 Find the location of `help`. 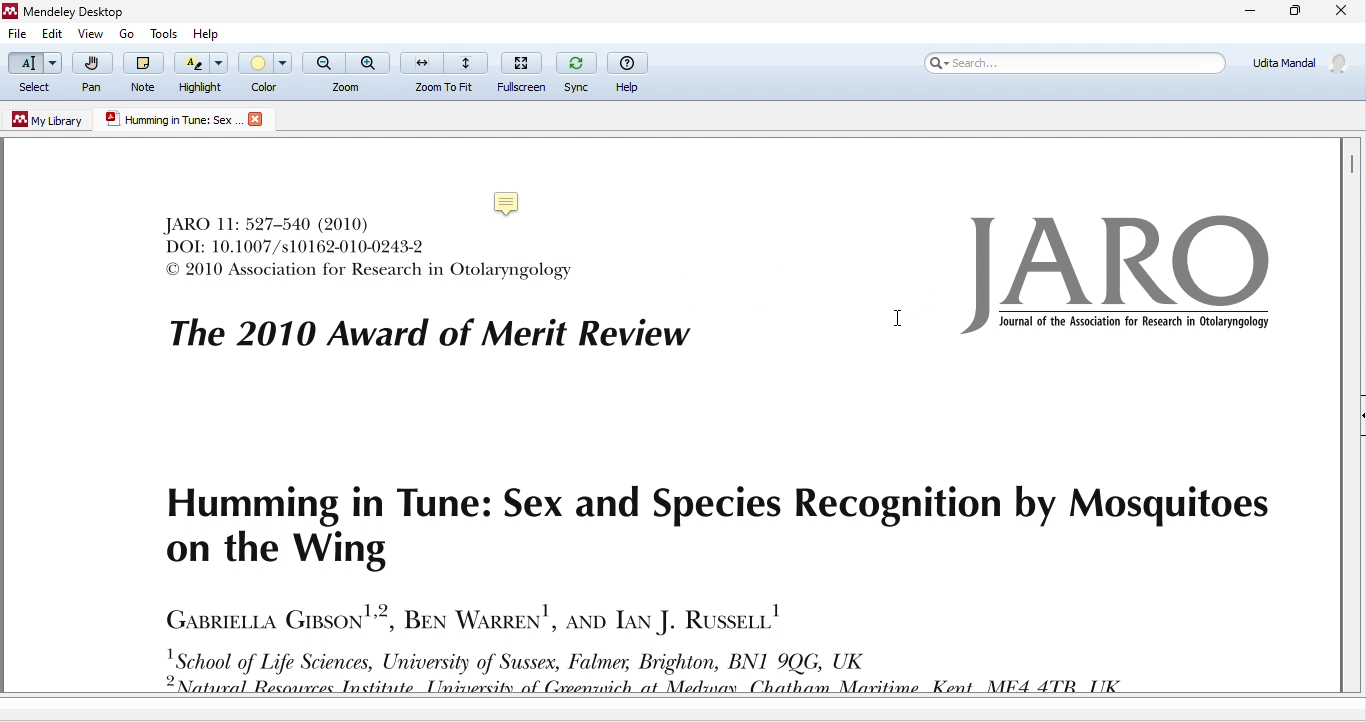

help is located at coordinates (205, 32).